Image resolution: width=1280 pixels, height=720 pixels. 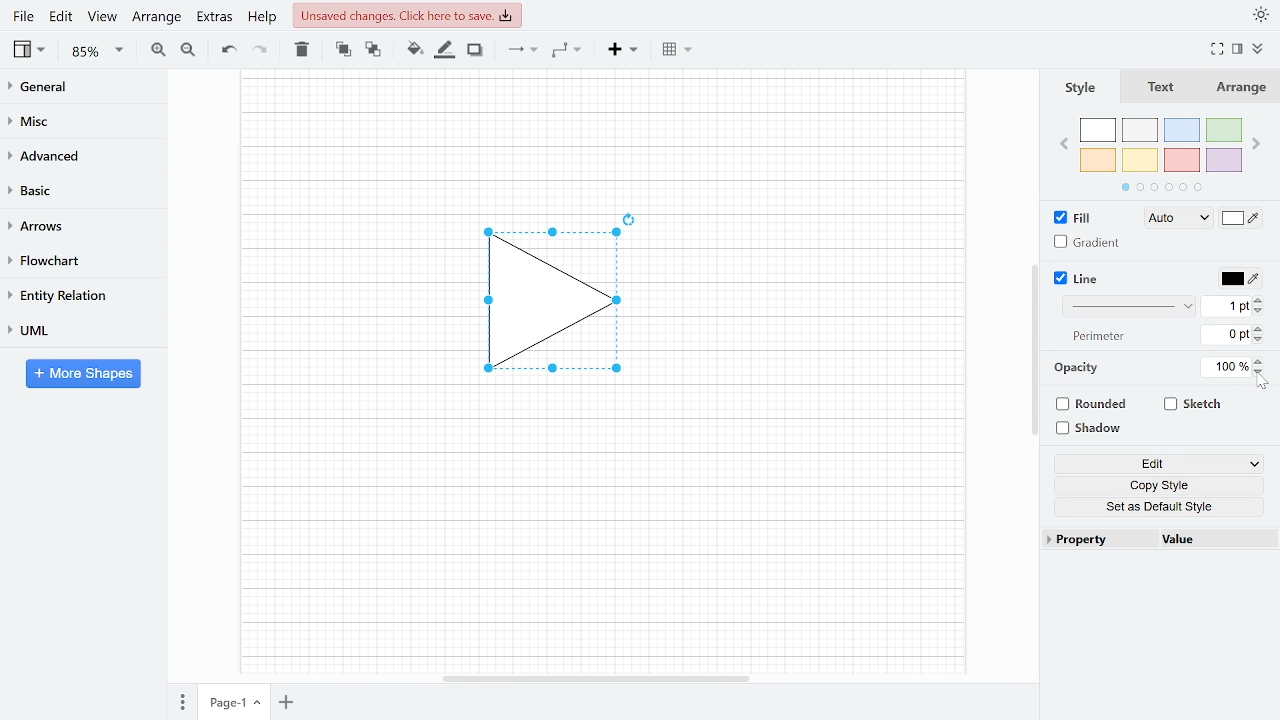 I want to click on Insert, so click(x=623, y=48).